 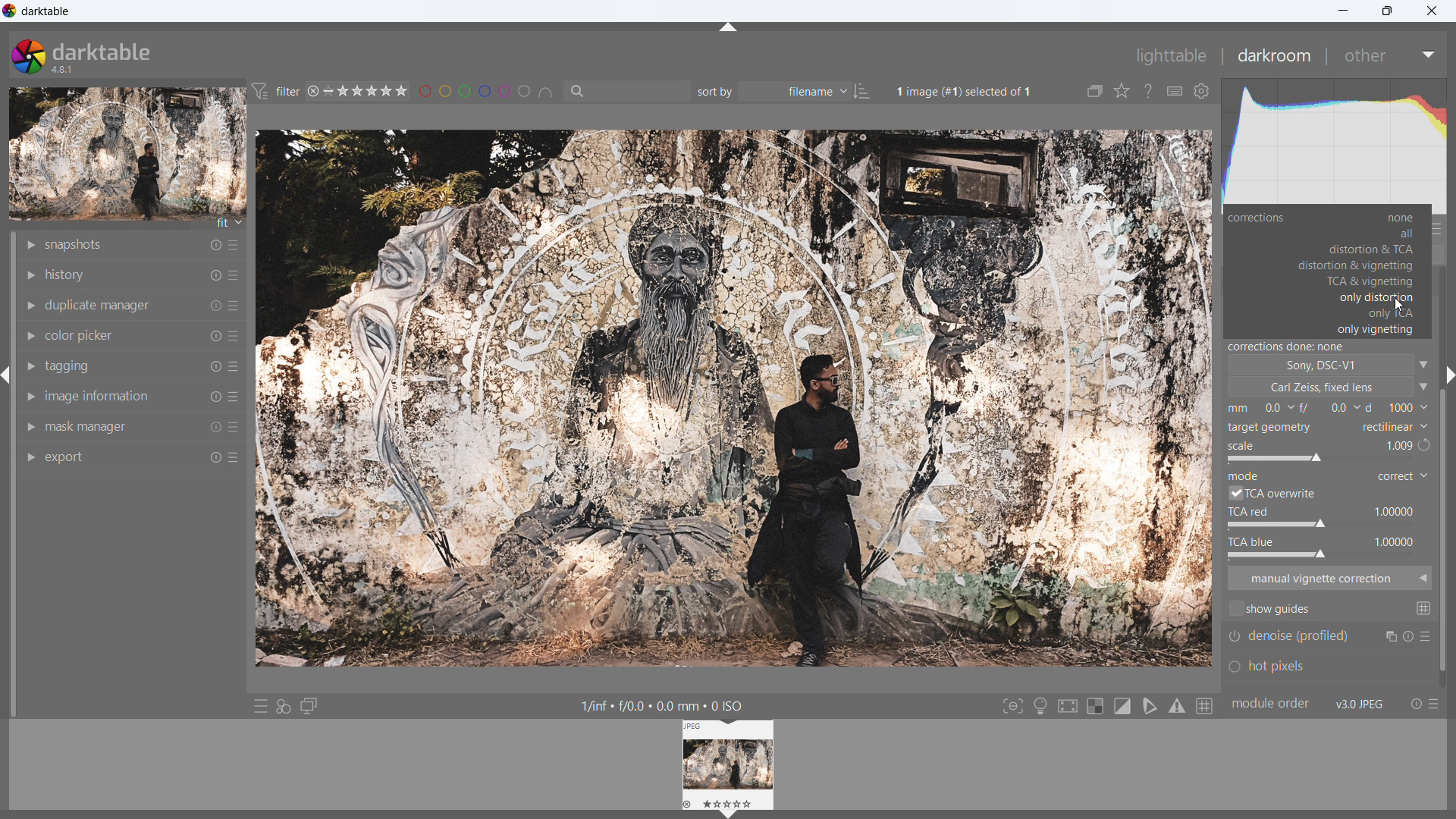 I want to click on reset, so click(x=215, y=244).